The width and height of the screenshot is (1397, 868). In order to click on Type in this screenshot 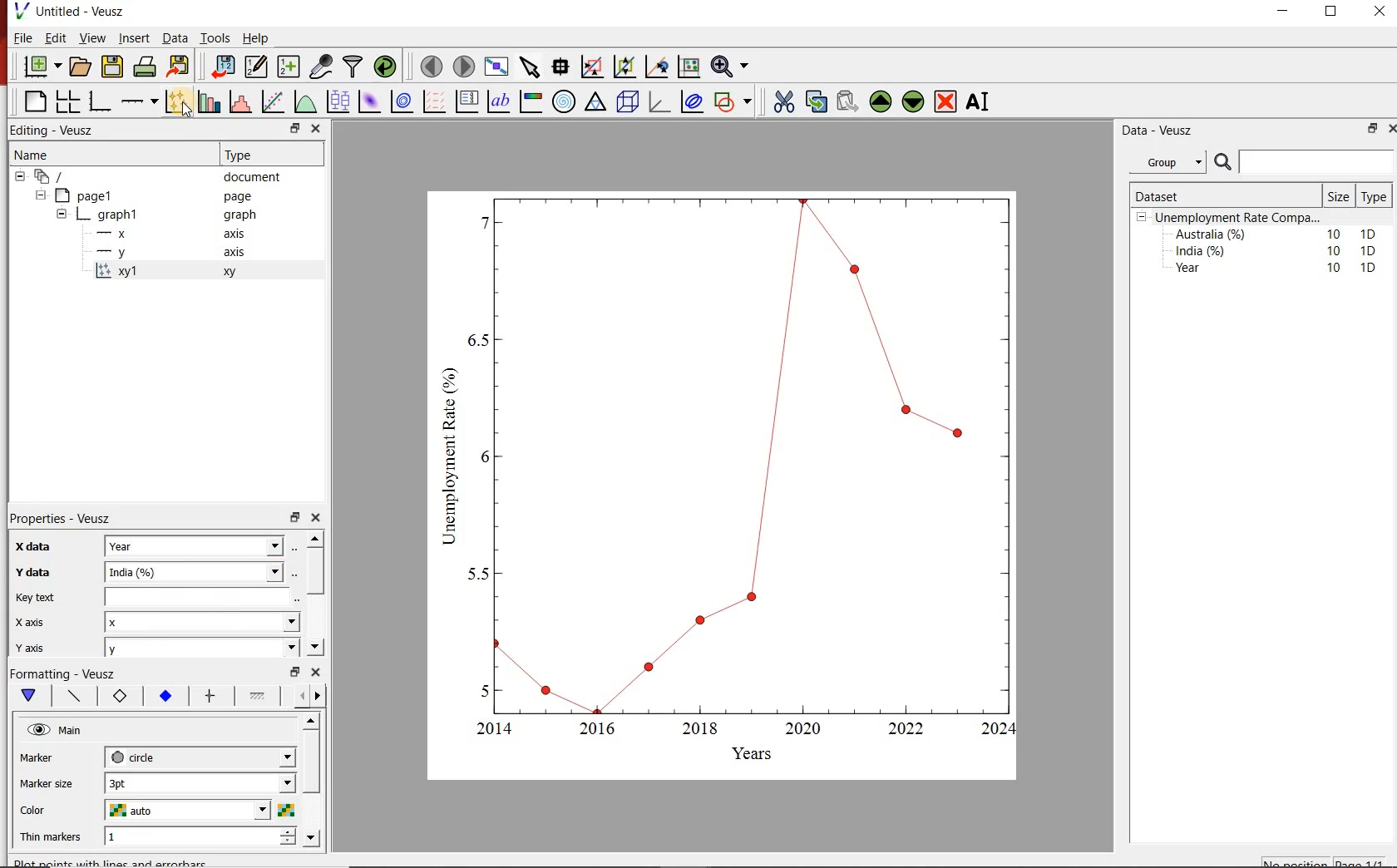, I will do `click(260, 155)`.